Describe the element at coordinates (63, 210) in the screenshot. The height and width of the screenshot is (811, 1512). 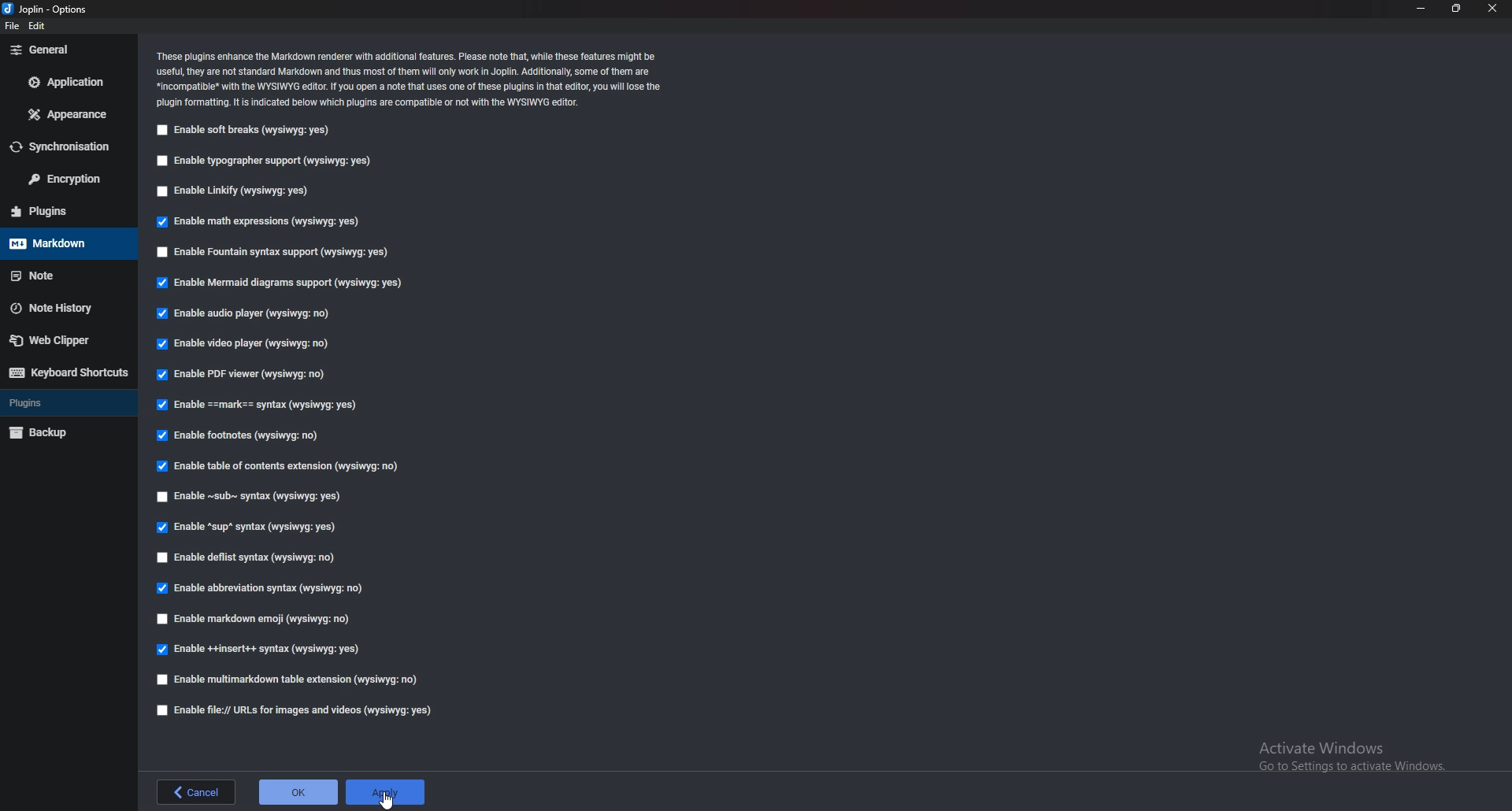
I see `Plugins` at that location.